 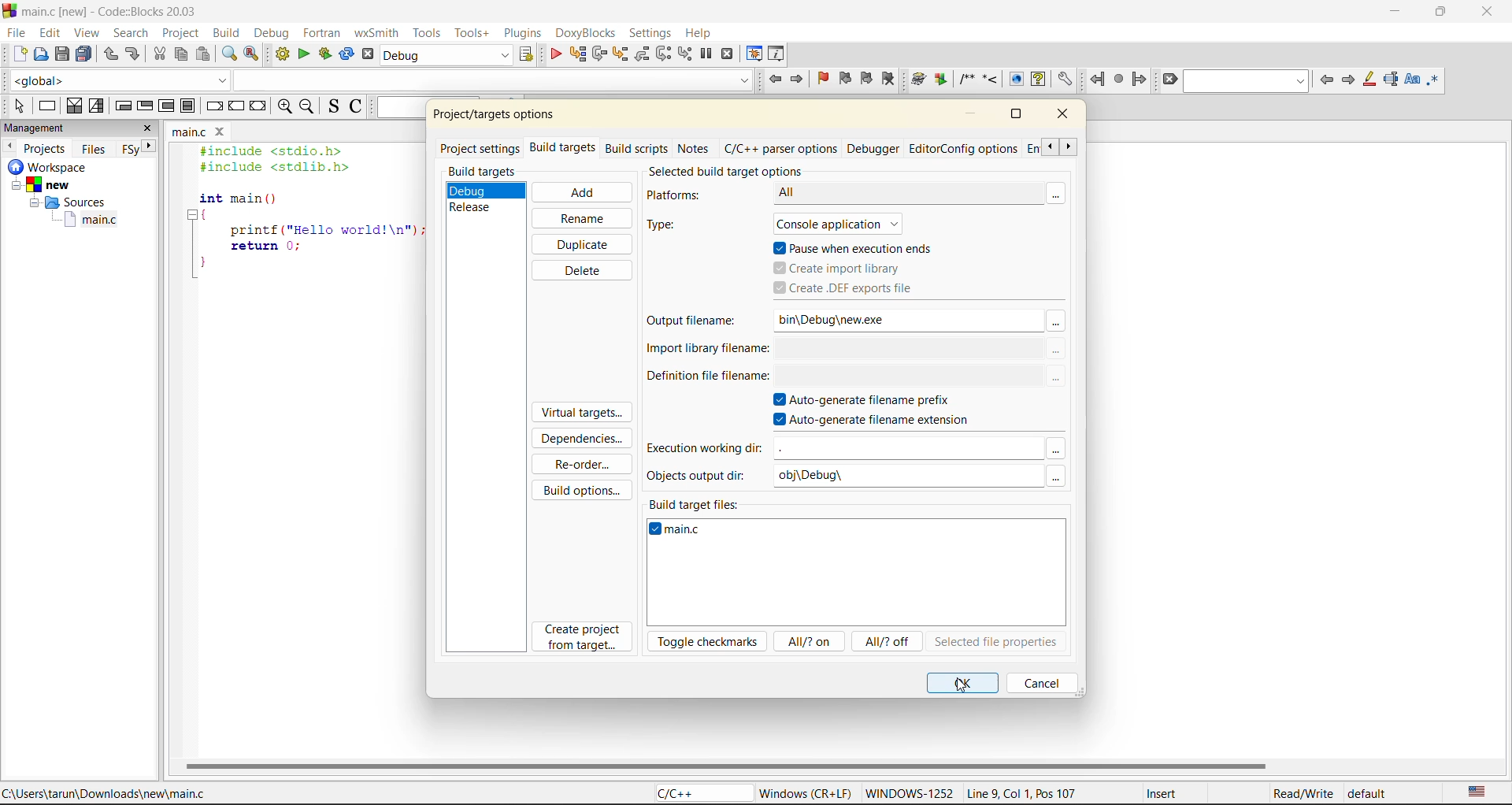 I want to click on save everything, so click(x=85, y=54).